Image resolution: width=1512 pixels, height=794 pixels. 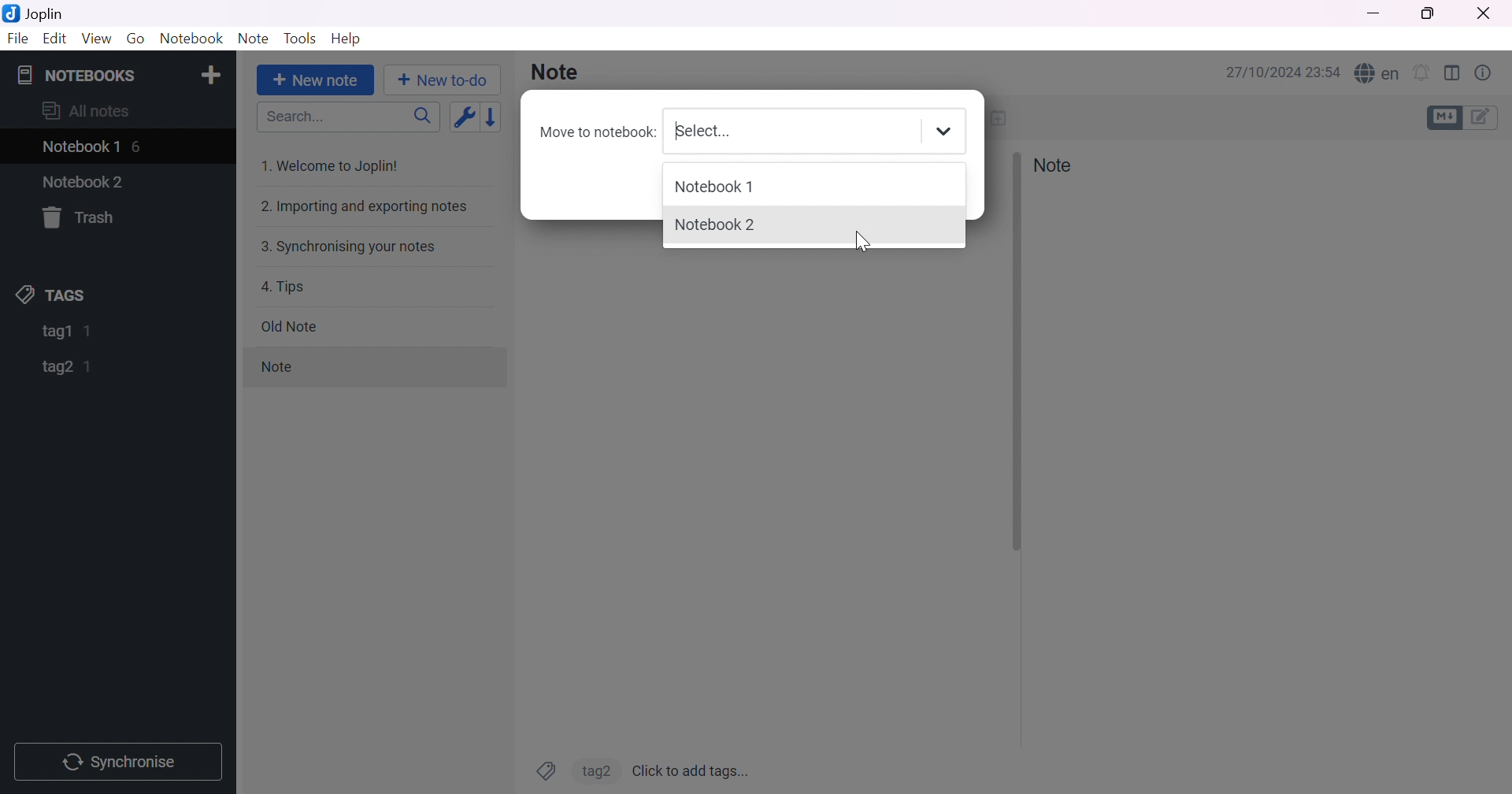 What do you see at coordinates (692, 769) in the screenshot?
I see `Click to add tags` at bounding box center [692, 769].